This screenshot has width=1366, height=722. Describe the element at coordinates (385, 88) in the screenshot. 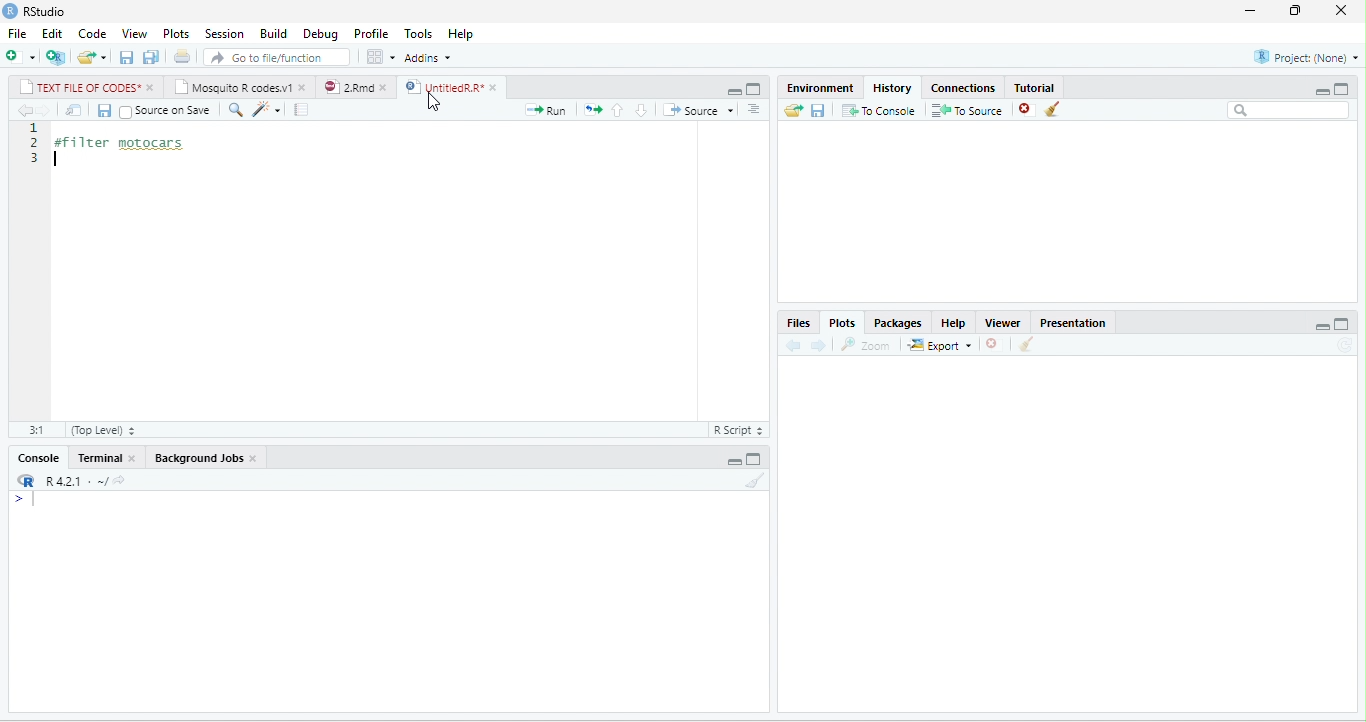

I see `close` at that location.